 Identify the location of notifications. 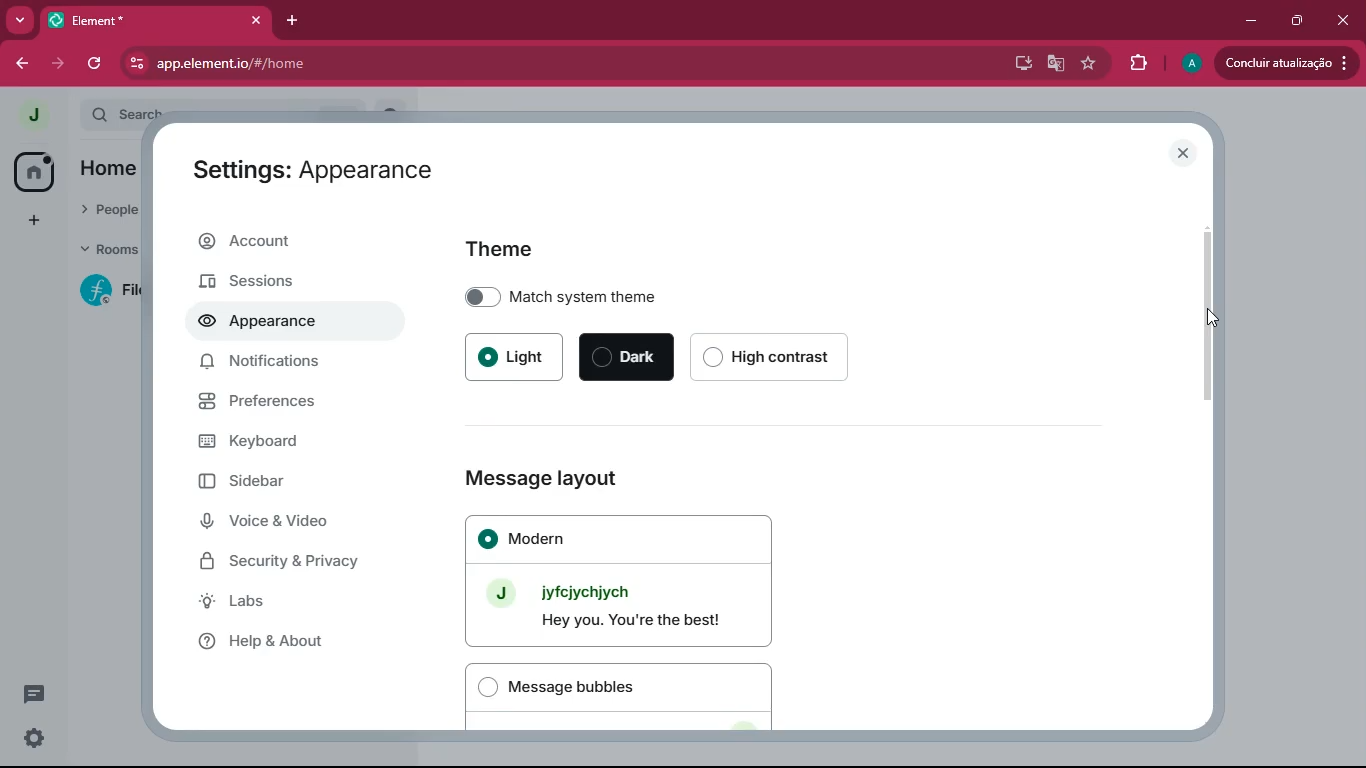
(285, 367).